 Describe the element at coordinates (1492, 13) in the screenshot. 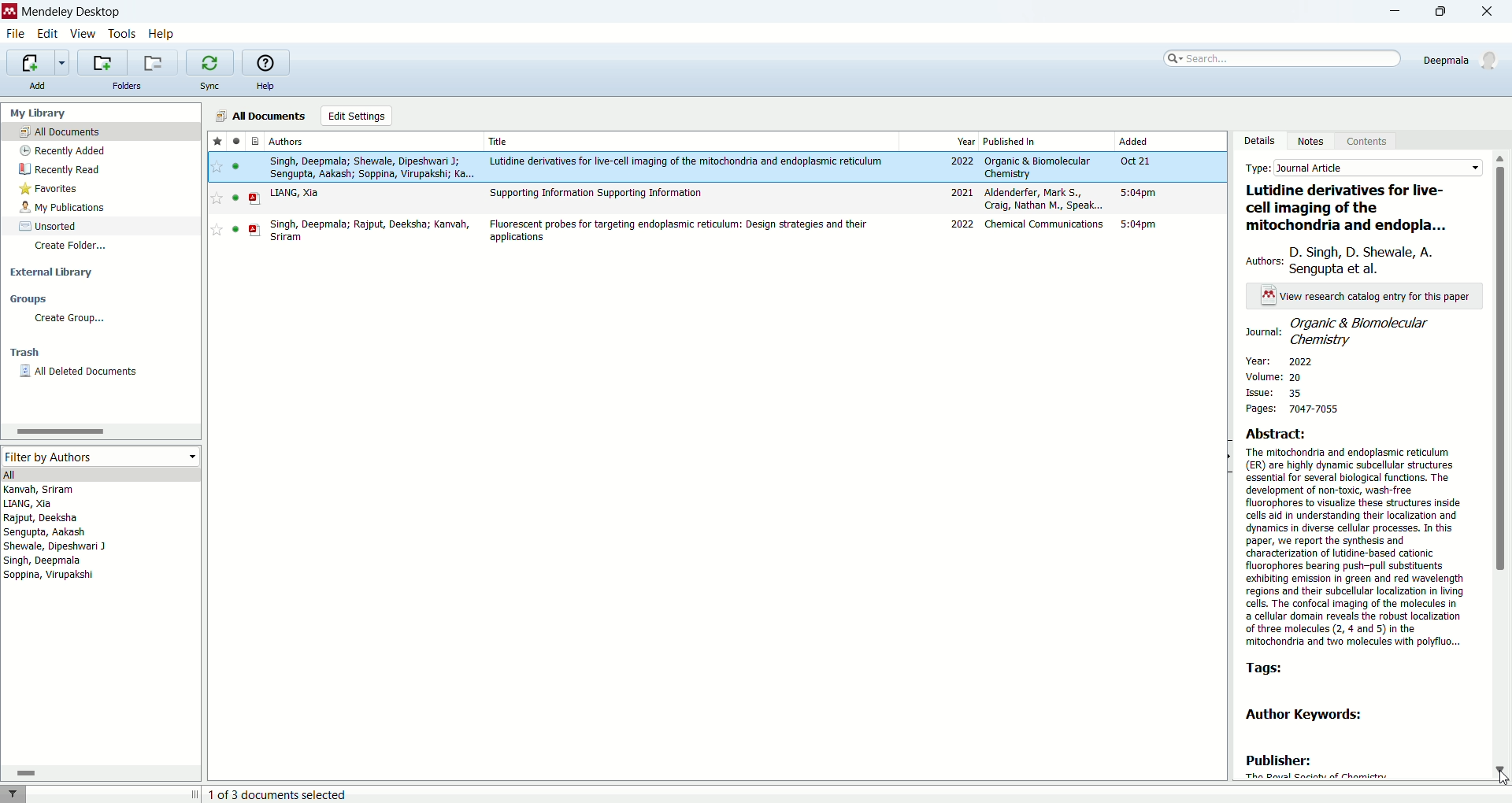

I see `close` at that location.